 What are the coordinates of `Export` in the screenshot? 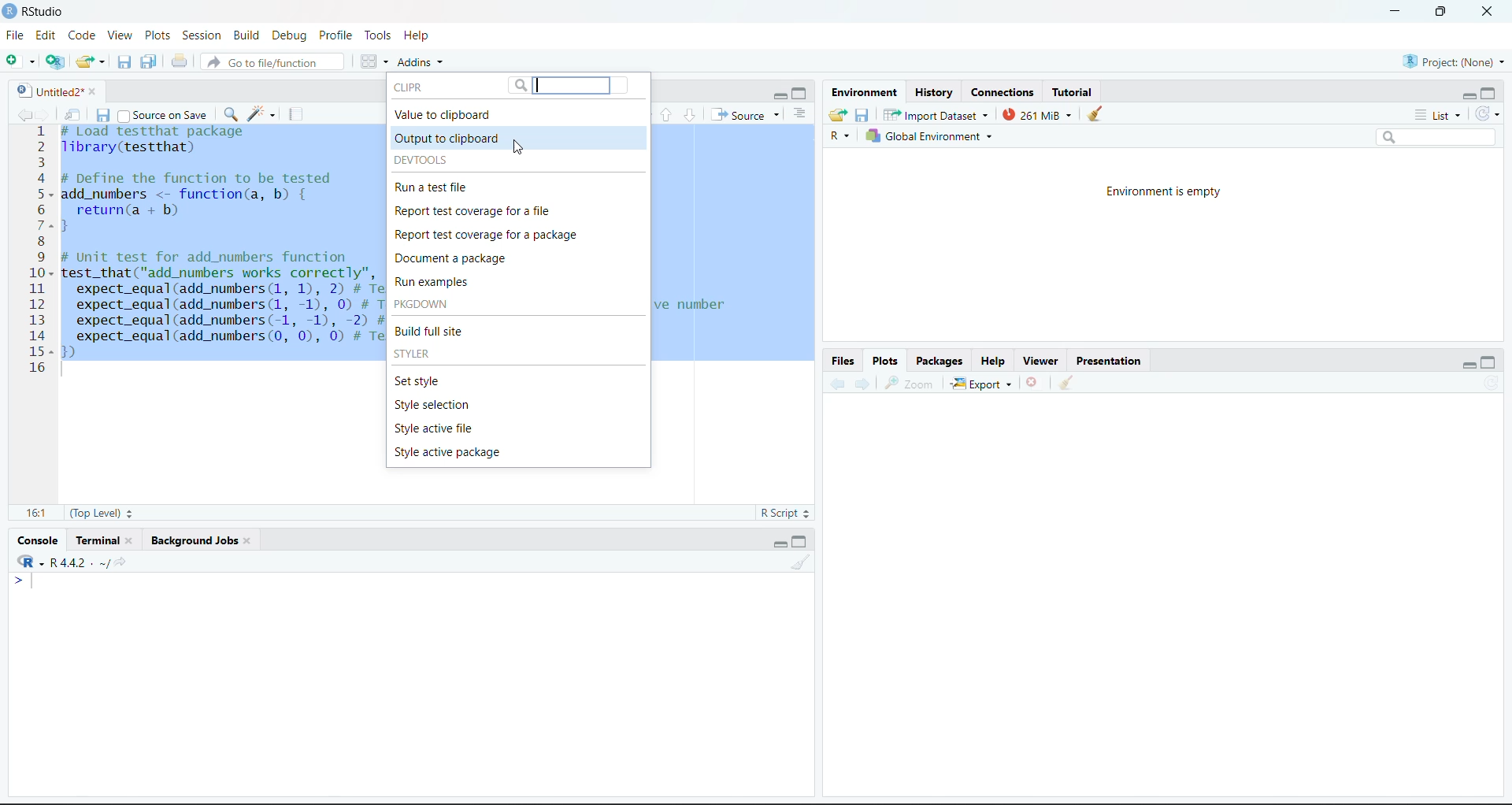 It's located at (980, 384).